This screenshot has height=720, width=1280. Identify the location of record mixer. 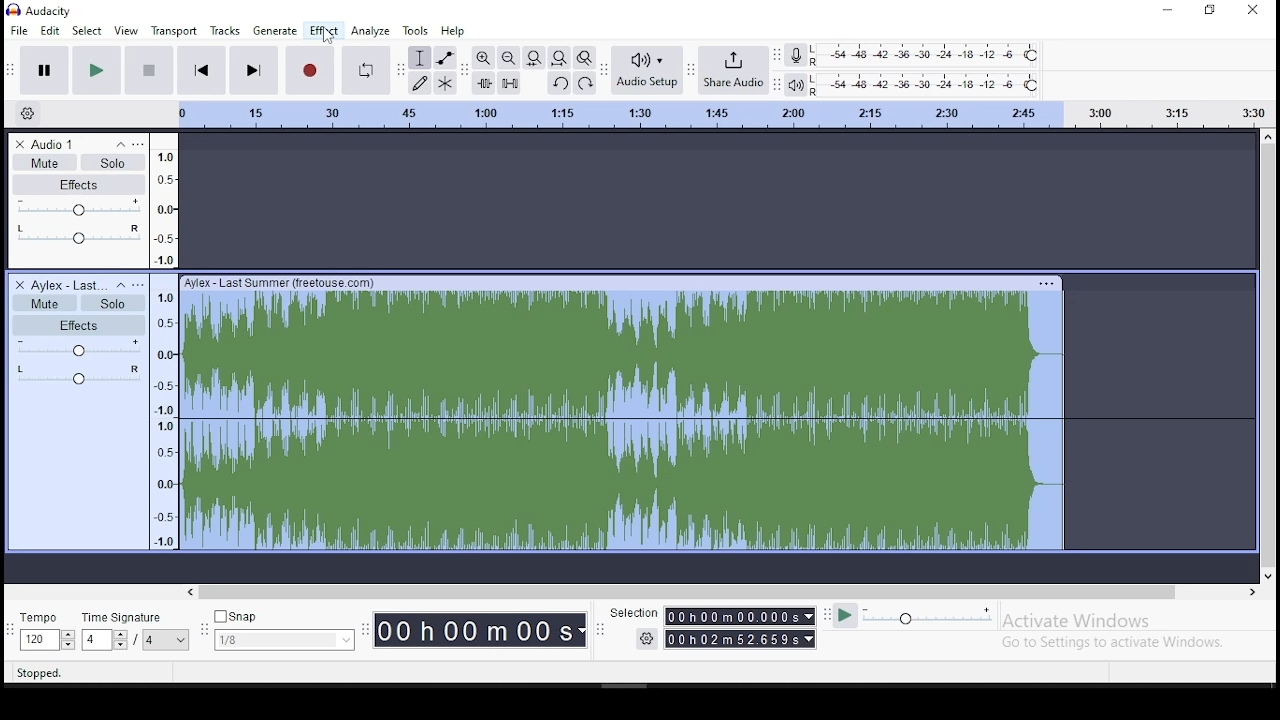
(795, 56).